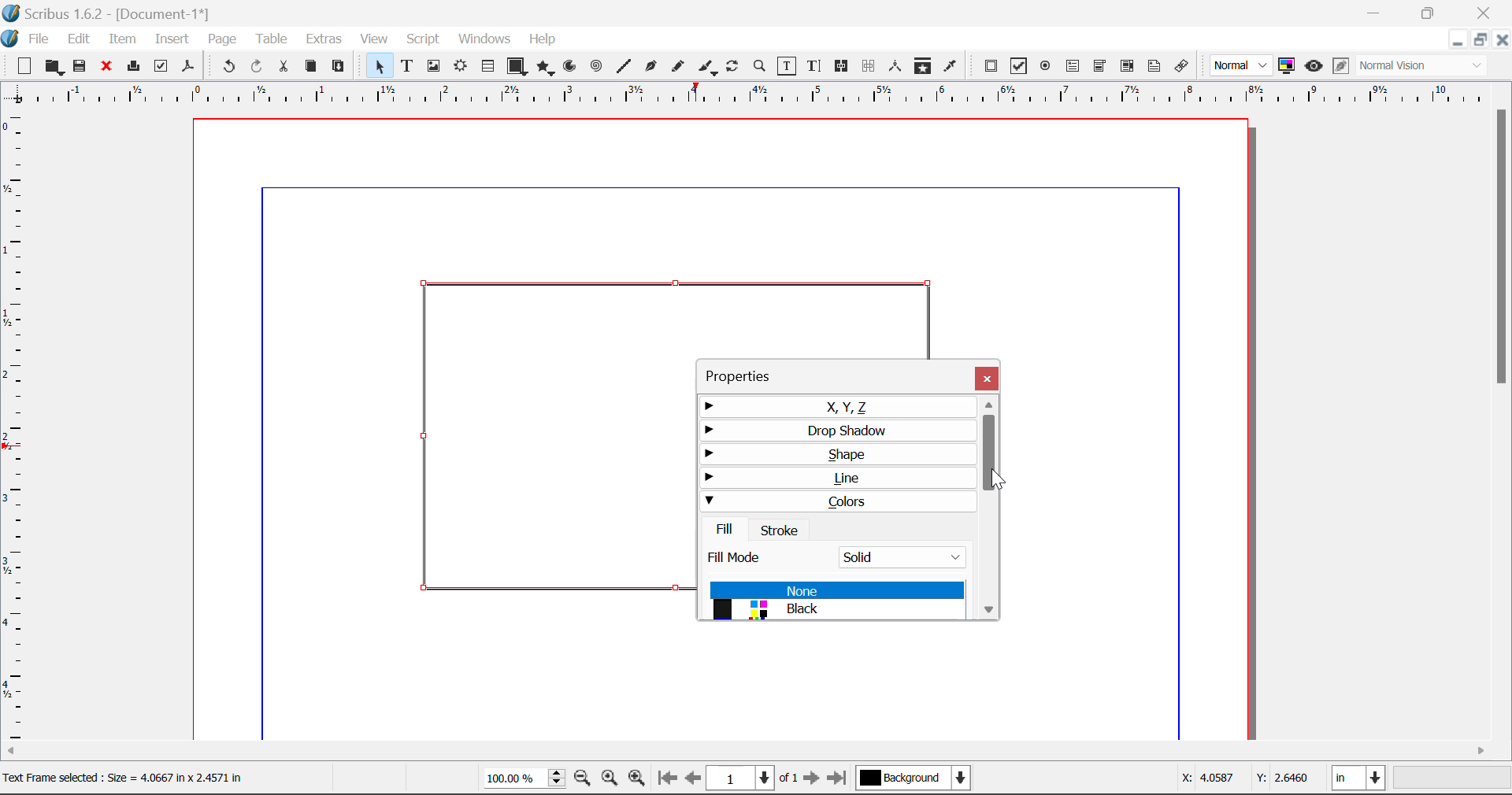 Image resolution: width=1512 pixels, height=795 pixels. I want to click on Paste, so click(339, 67).